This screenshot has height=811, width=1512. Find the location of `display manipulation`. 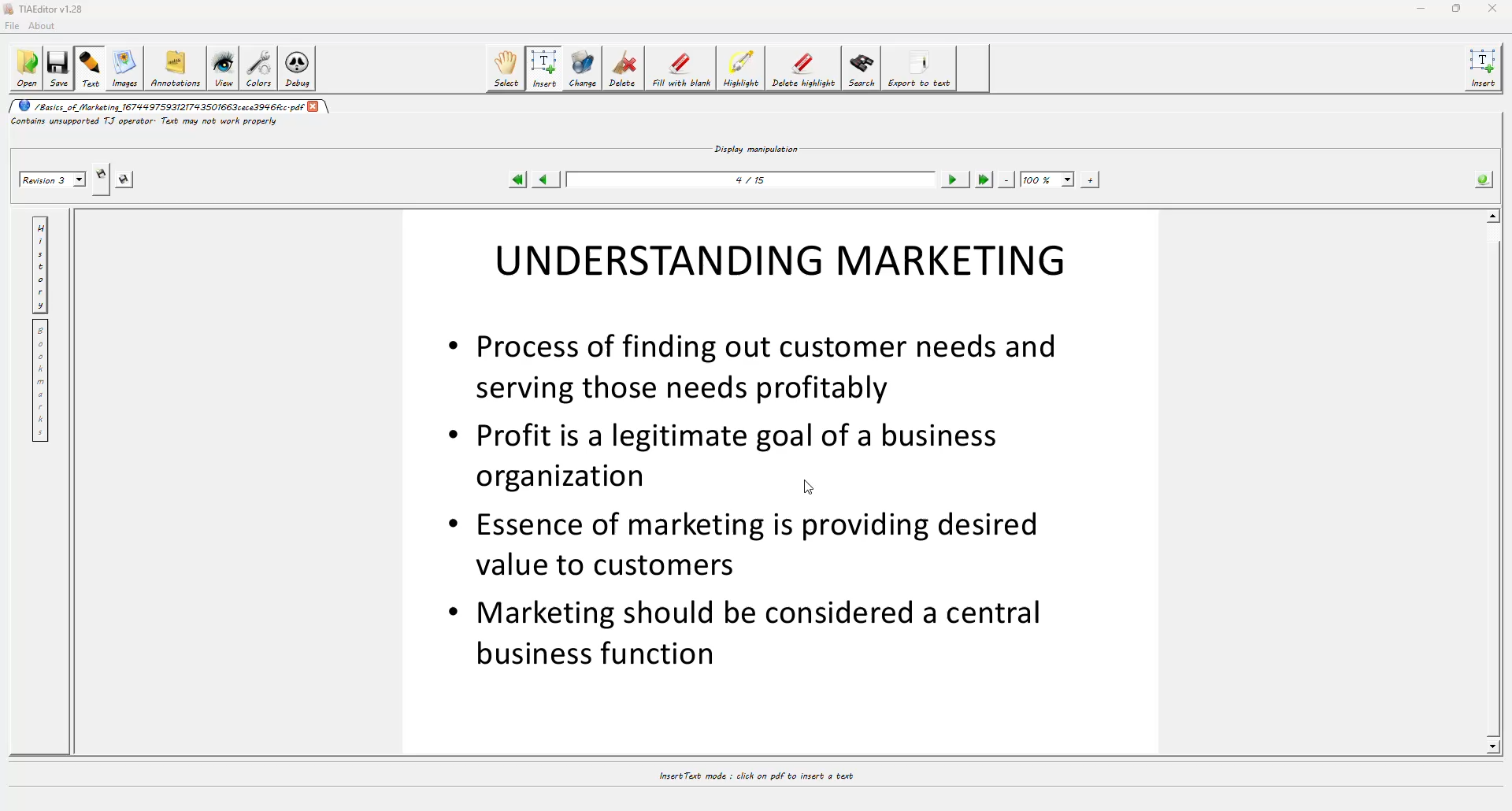

display manipulation is located at coordinates (758, 147).